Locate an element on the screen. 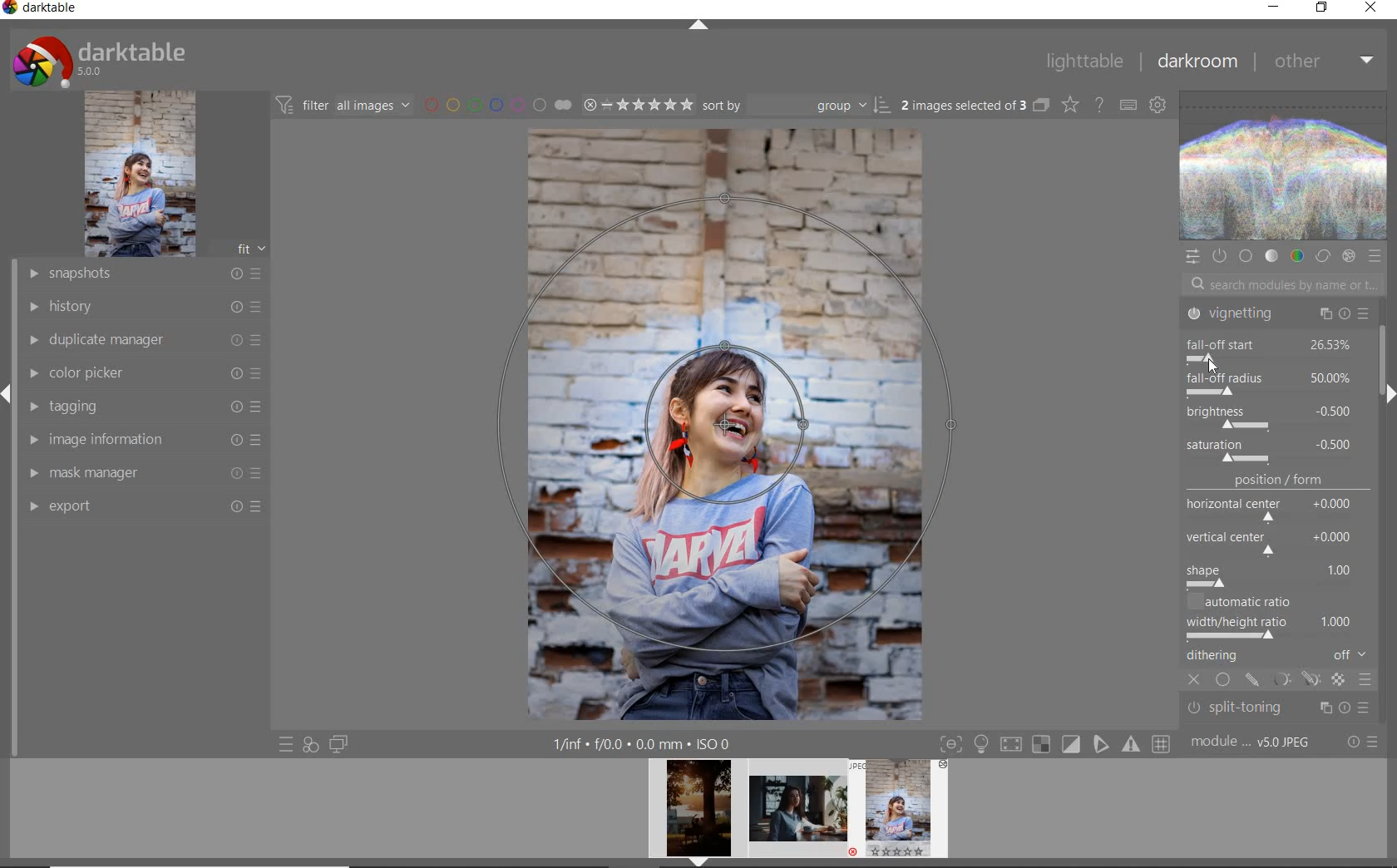  image information is located at coordinates (144, 438).